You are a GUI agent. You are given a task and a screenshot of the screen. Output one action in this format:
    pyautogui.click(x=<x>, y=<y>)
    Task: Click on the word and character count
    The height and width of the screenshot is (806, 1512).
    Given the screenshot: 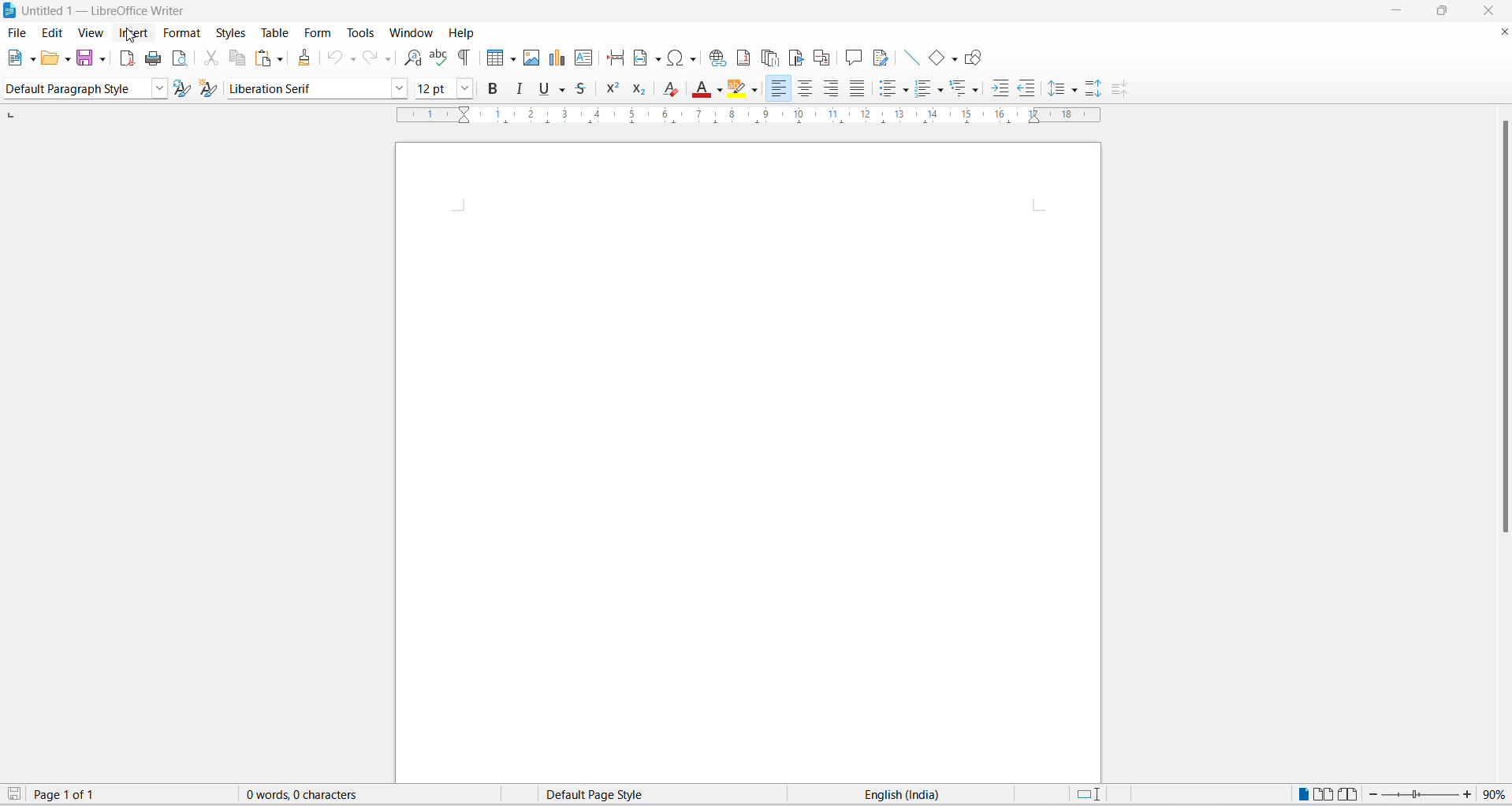 What is the action you would take?
    pyautogui.click(x=310, y=794)
    